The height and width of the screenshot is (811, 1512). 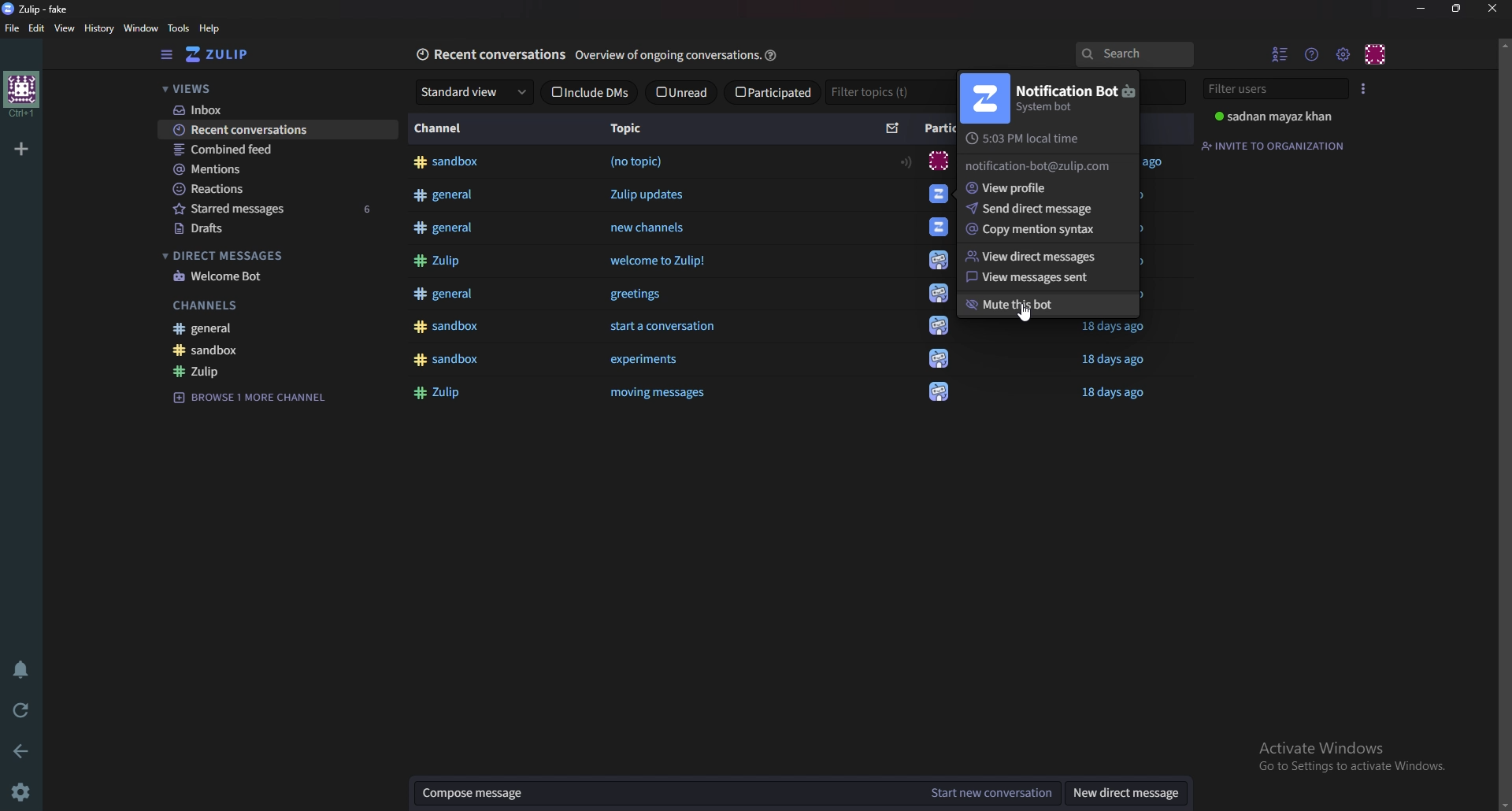 What do you see at coordinates (179, 28) in the screenshot?
I see `Tools` at bounding box center [179, 28].